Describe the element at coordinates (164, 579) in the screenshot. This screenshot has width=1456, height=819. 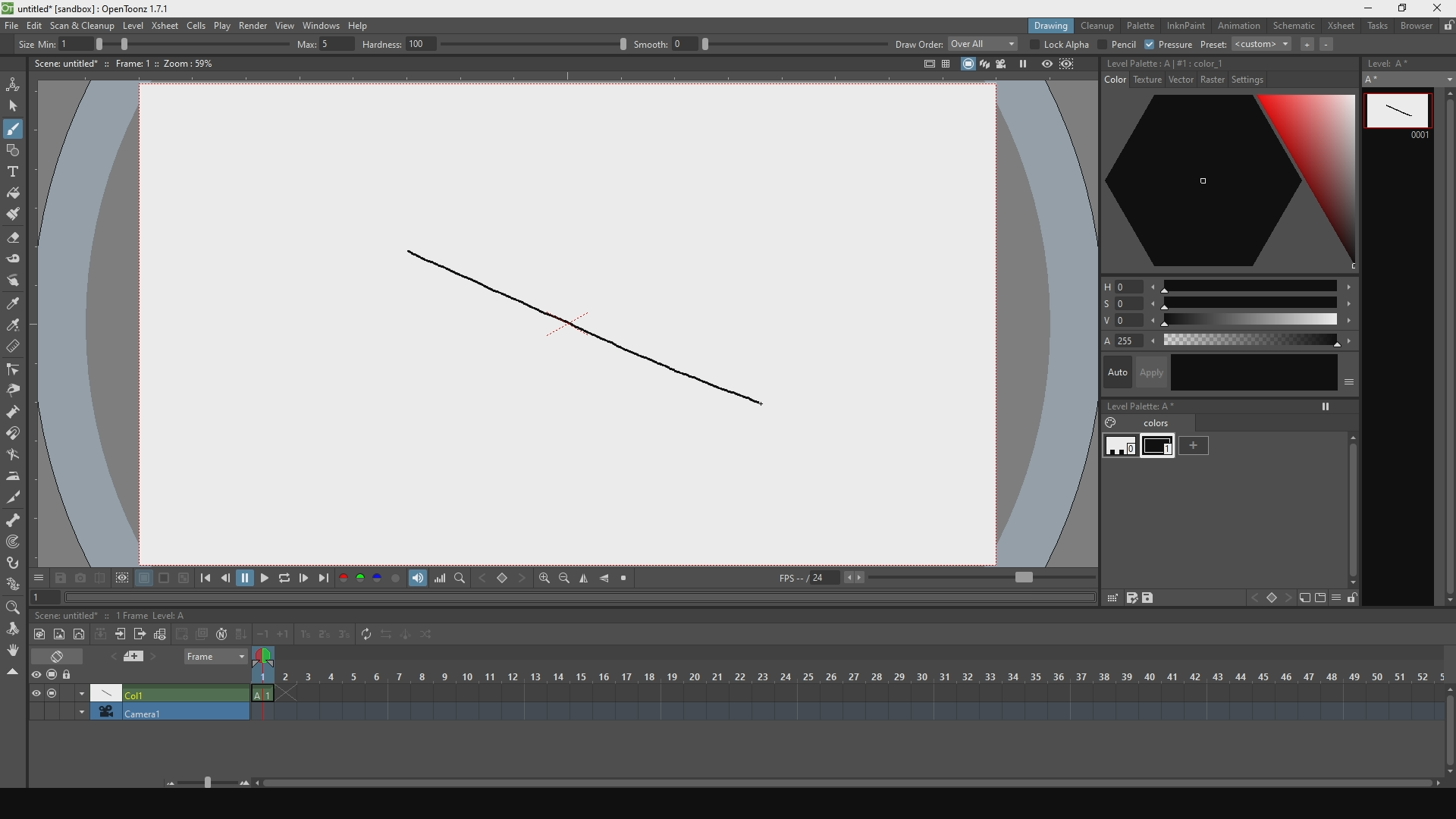
I see `black background` at that location.